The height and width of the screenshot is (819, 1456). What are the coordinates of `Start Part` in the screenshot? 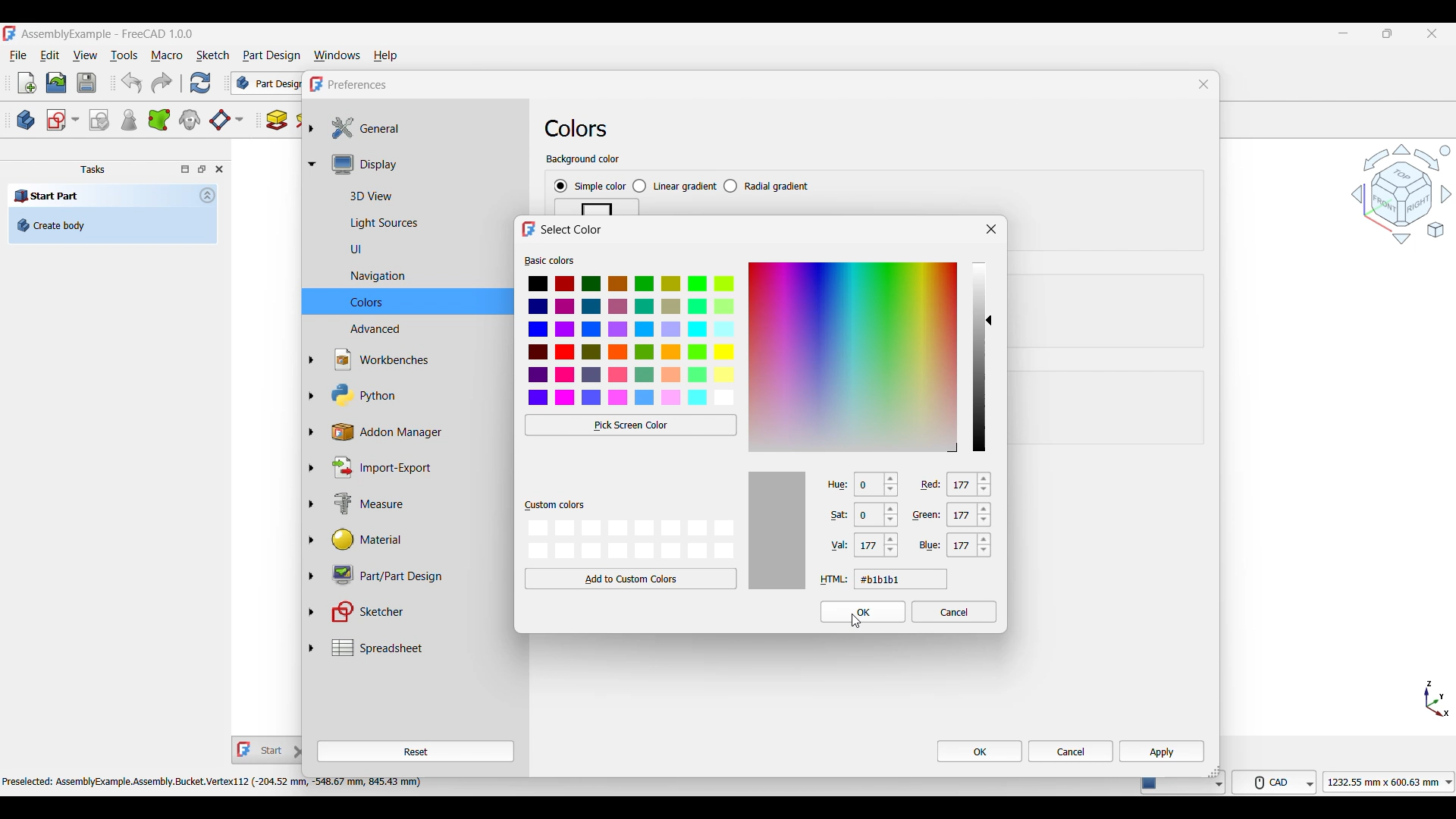 It's located at (47, 195).